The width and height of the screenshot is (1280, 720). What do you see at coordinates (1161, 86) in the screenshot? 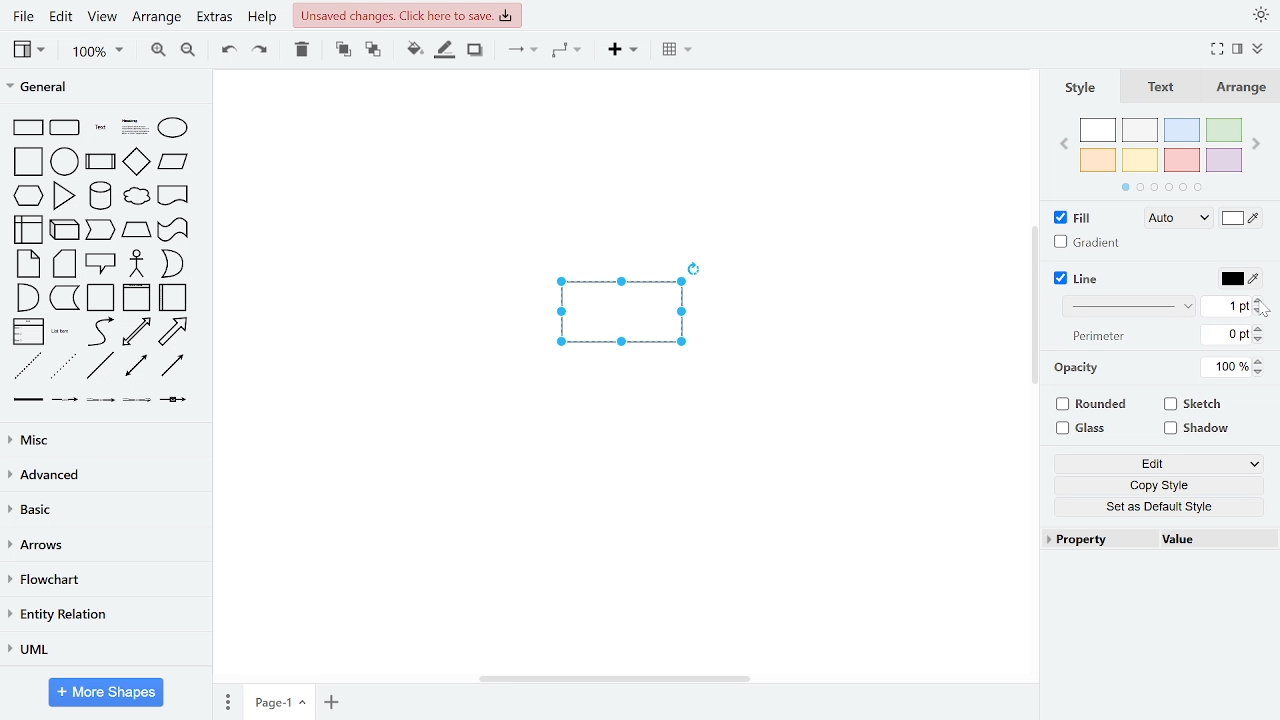
I see `text` at bounding box center [1161, 86].